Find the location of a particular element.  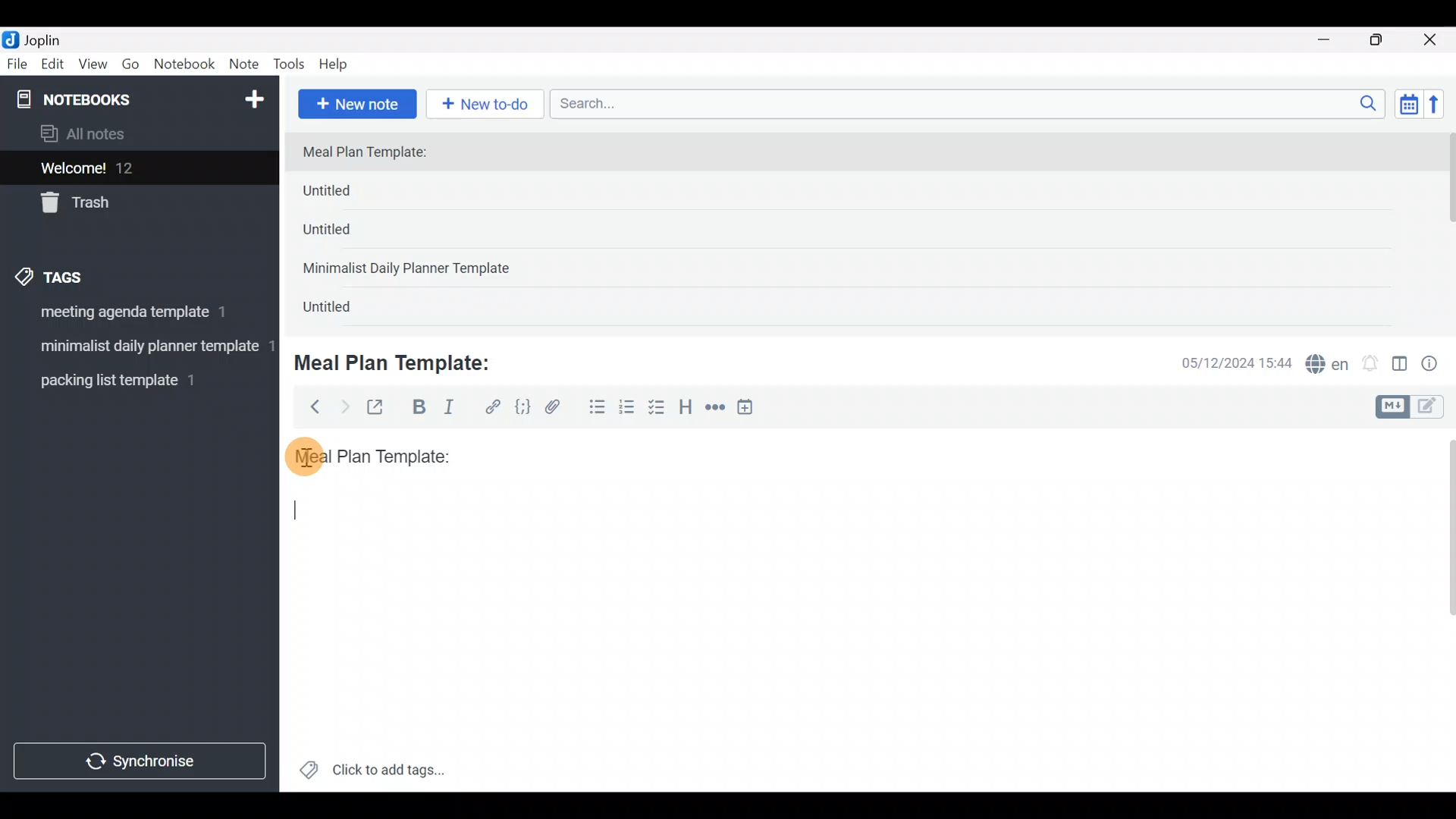

Text editor is located at coordinates (846, 659).